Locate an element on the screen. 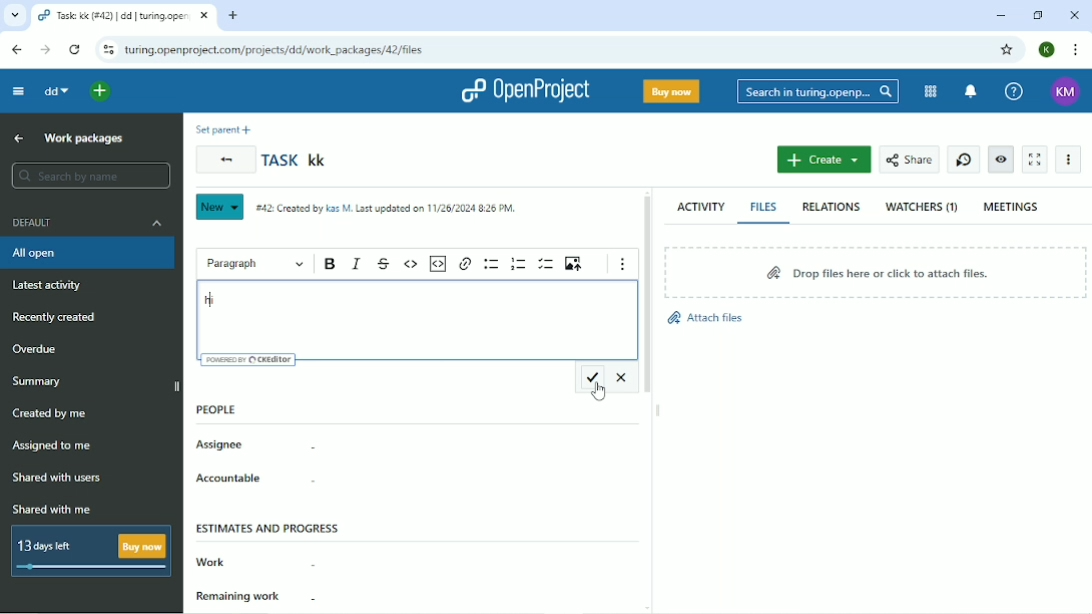  Bold is located at coordinates (331, 264).